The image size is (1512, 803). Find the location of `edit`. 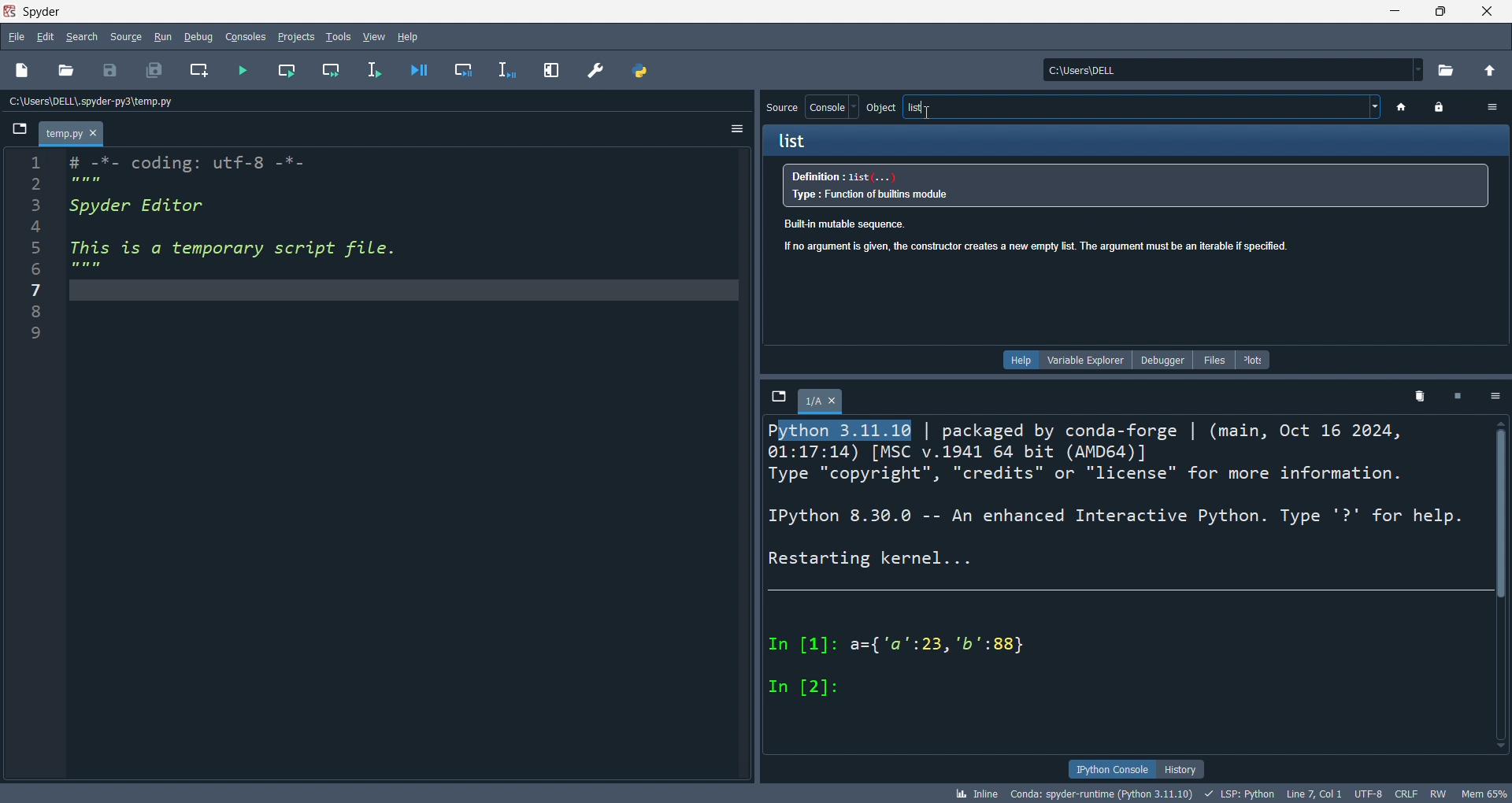

edit is located at coordinates (42, 36).